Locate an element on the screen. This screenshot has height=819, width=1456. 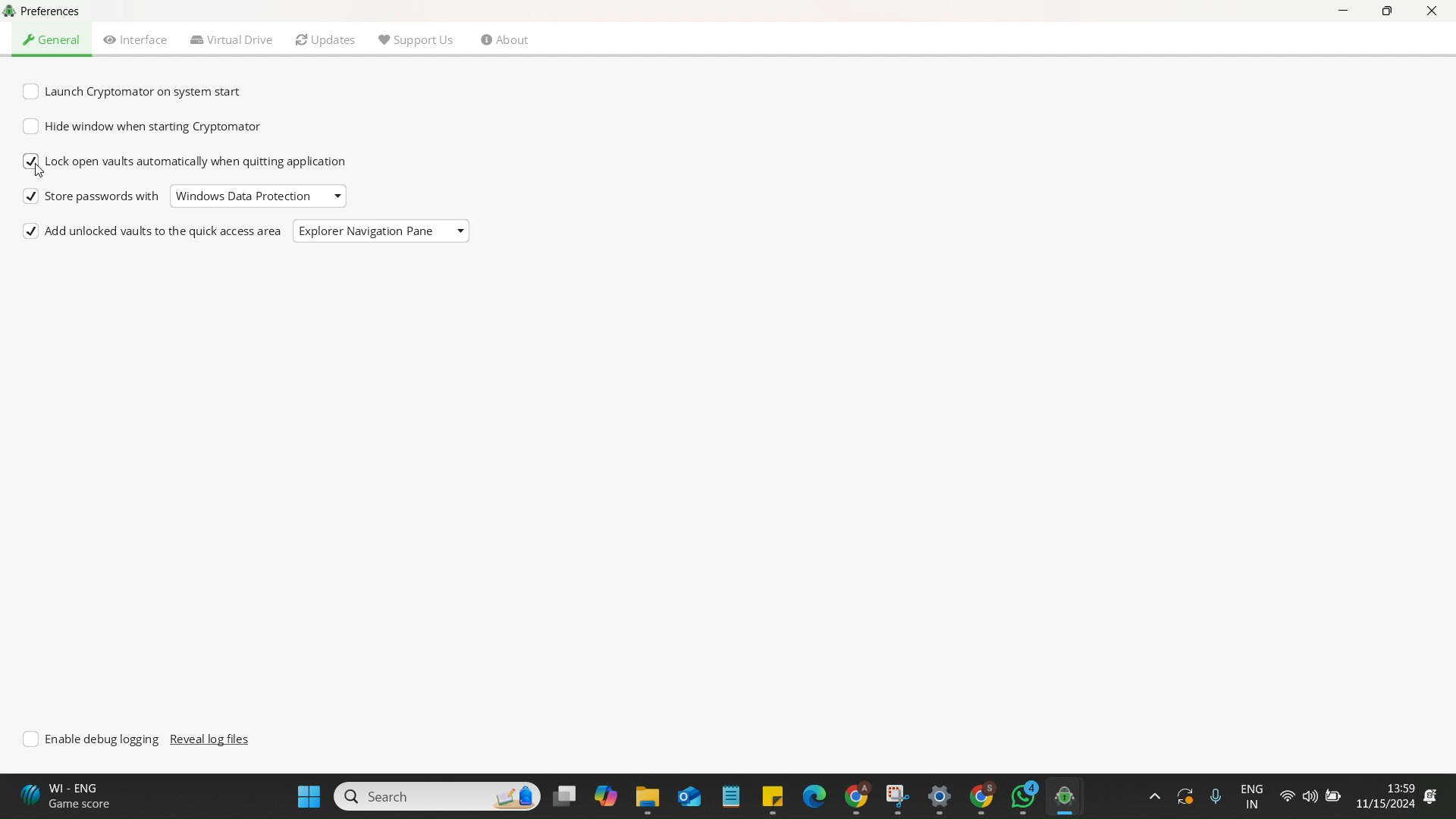
Reveal Log Files is located at coordinates (212, 739).